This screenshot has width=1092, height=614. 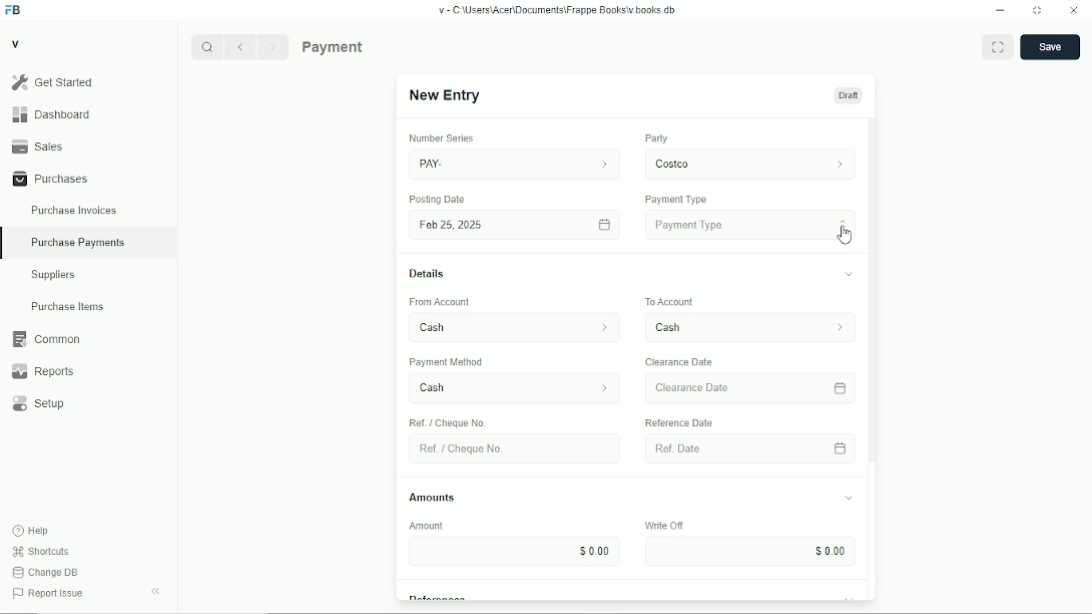 I want to click on Payment Type, so click(x=750, y=226).